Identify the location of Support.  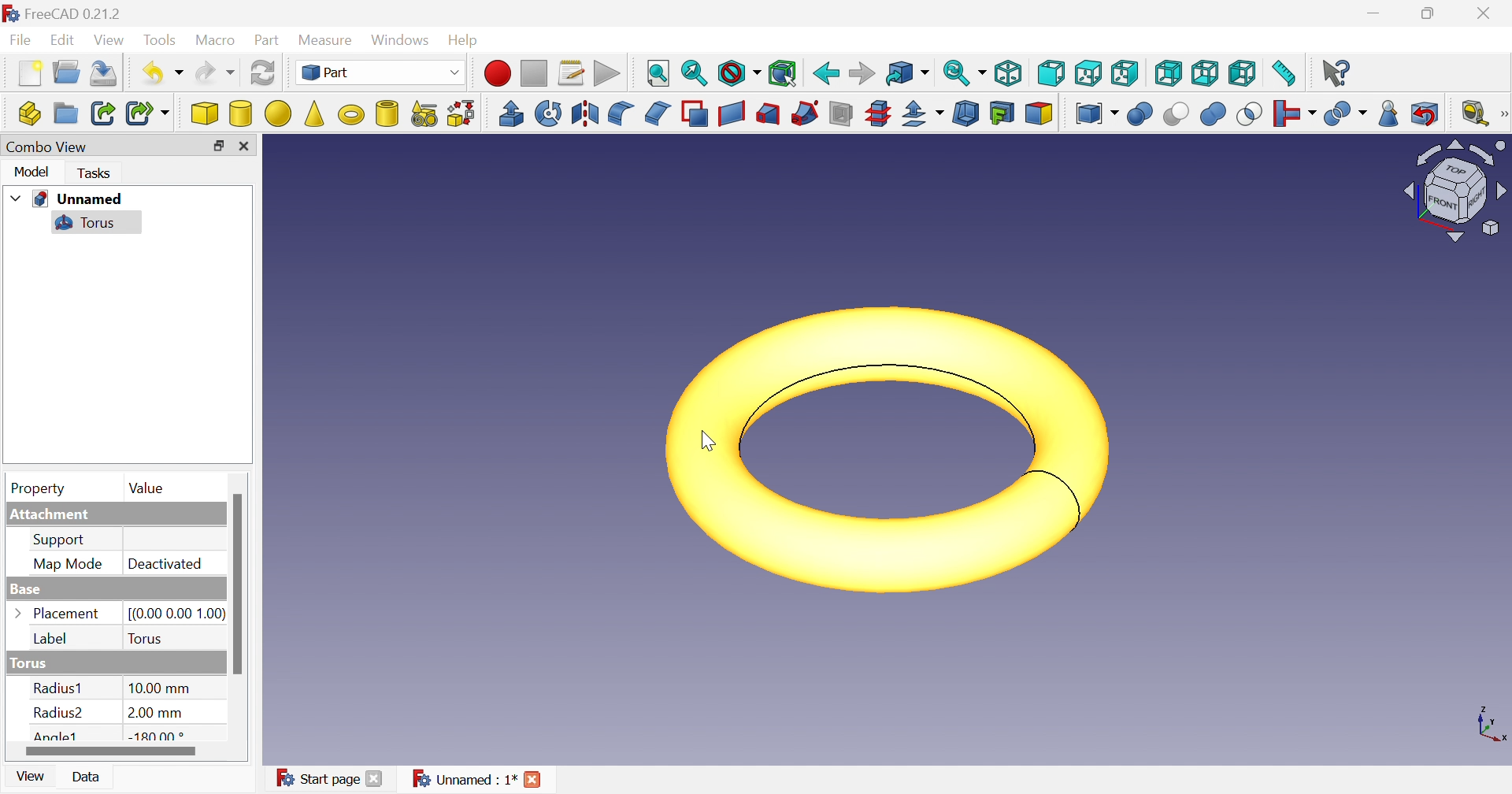
(63, 540).